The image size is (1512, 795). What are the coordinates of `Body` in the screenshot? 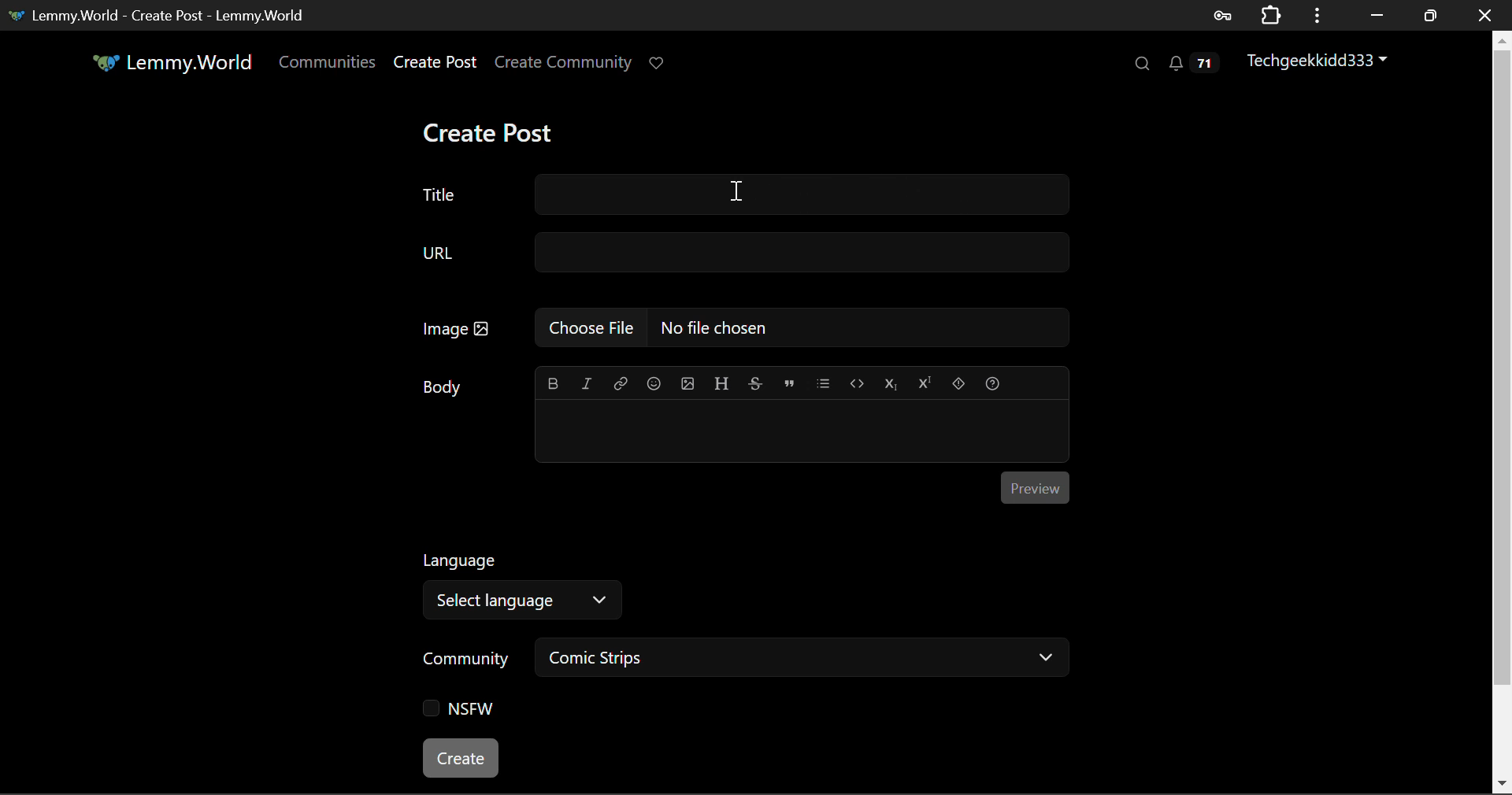 It's located at (443, 384).